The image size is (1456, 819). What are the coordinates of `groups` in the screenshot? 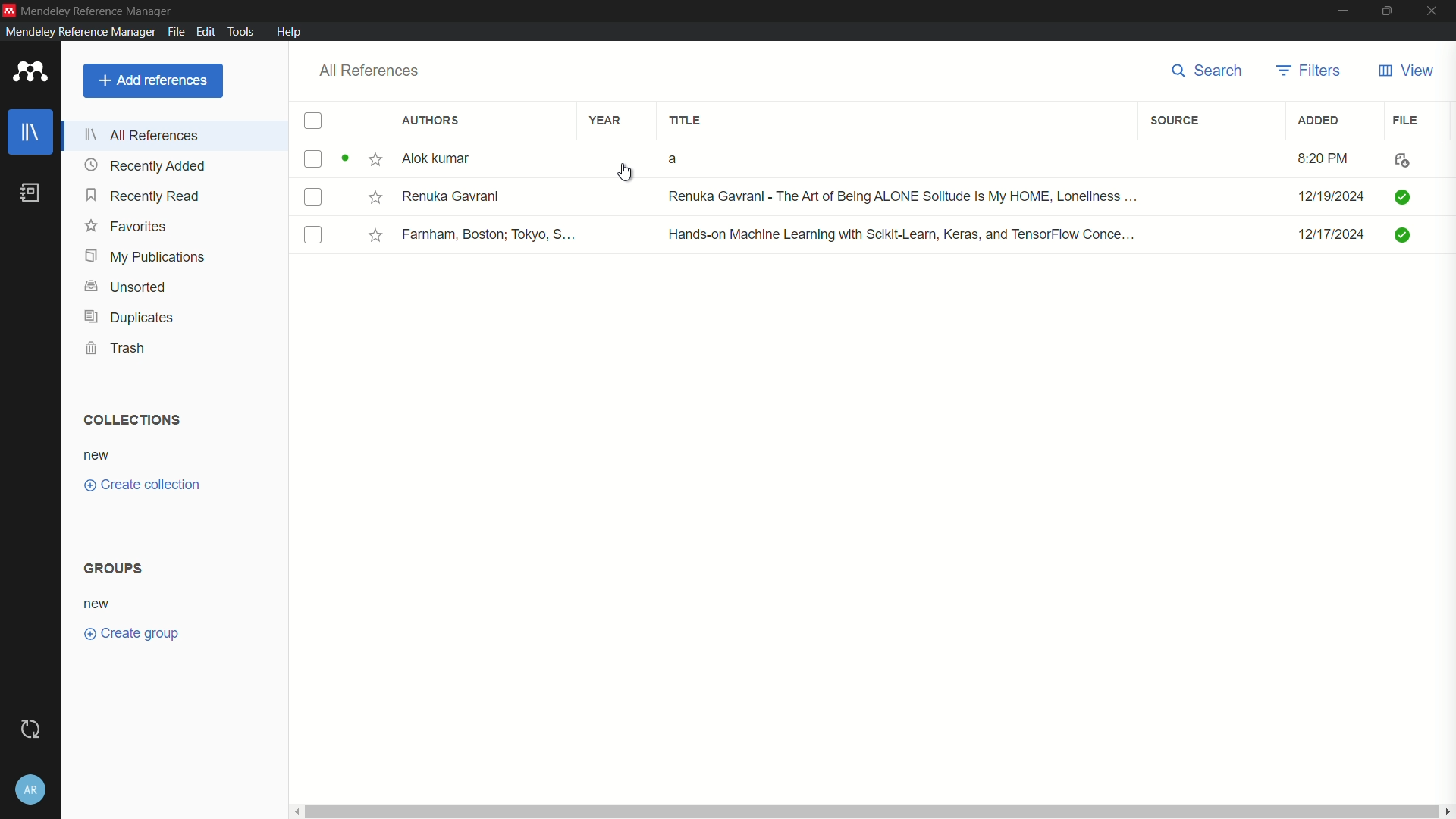 It's located at (116, 567).